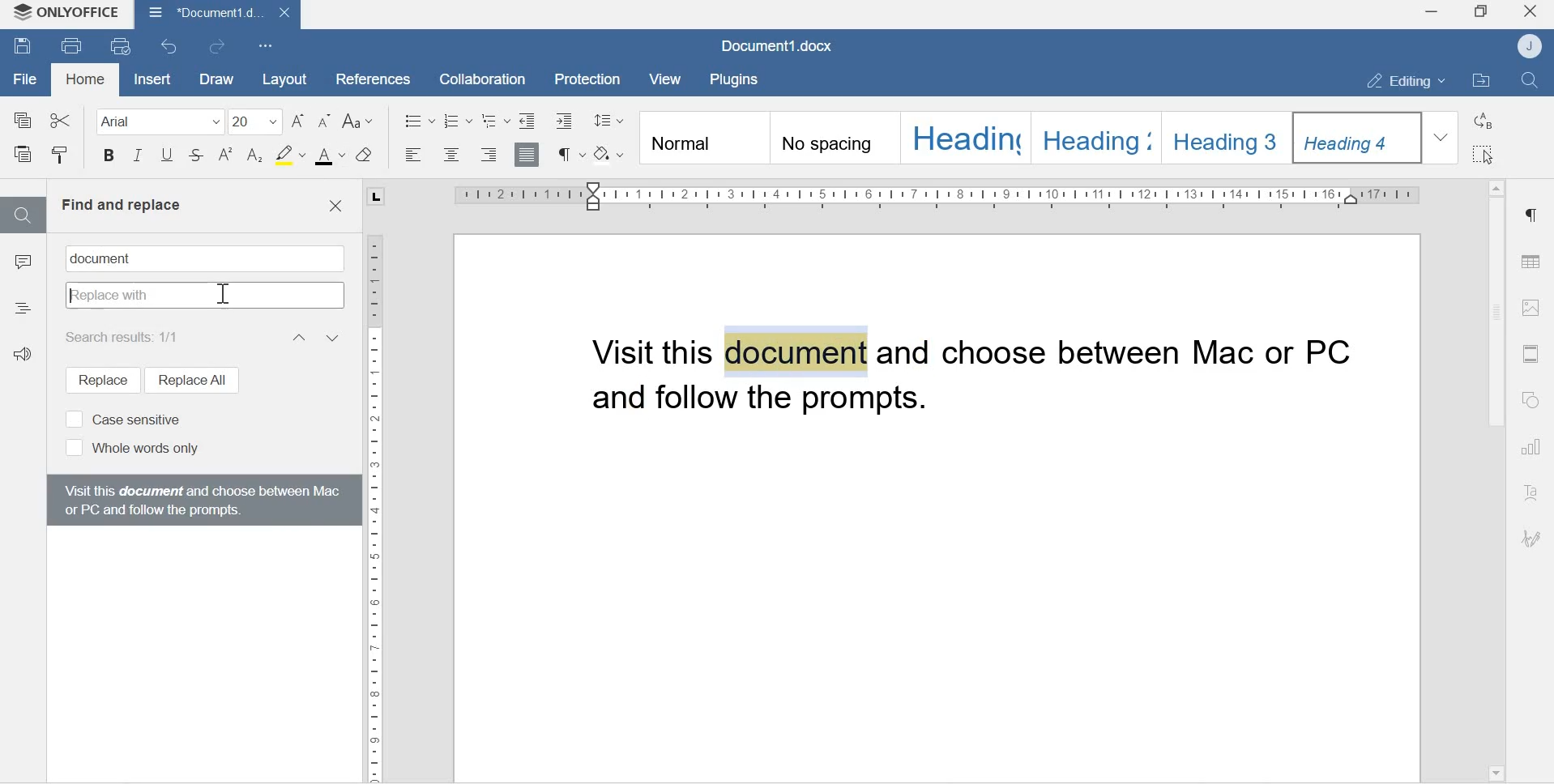  I want to click on Decrease Indent, so click(568, 120).